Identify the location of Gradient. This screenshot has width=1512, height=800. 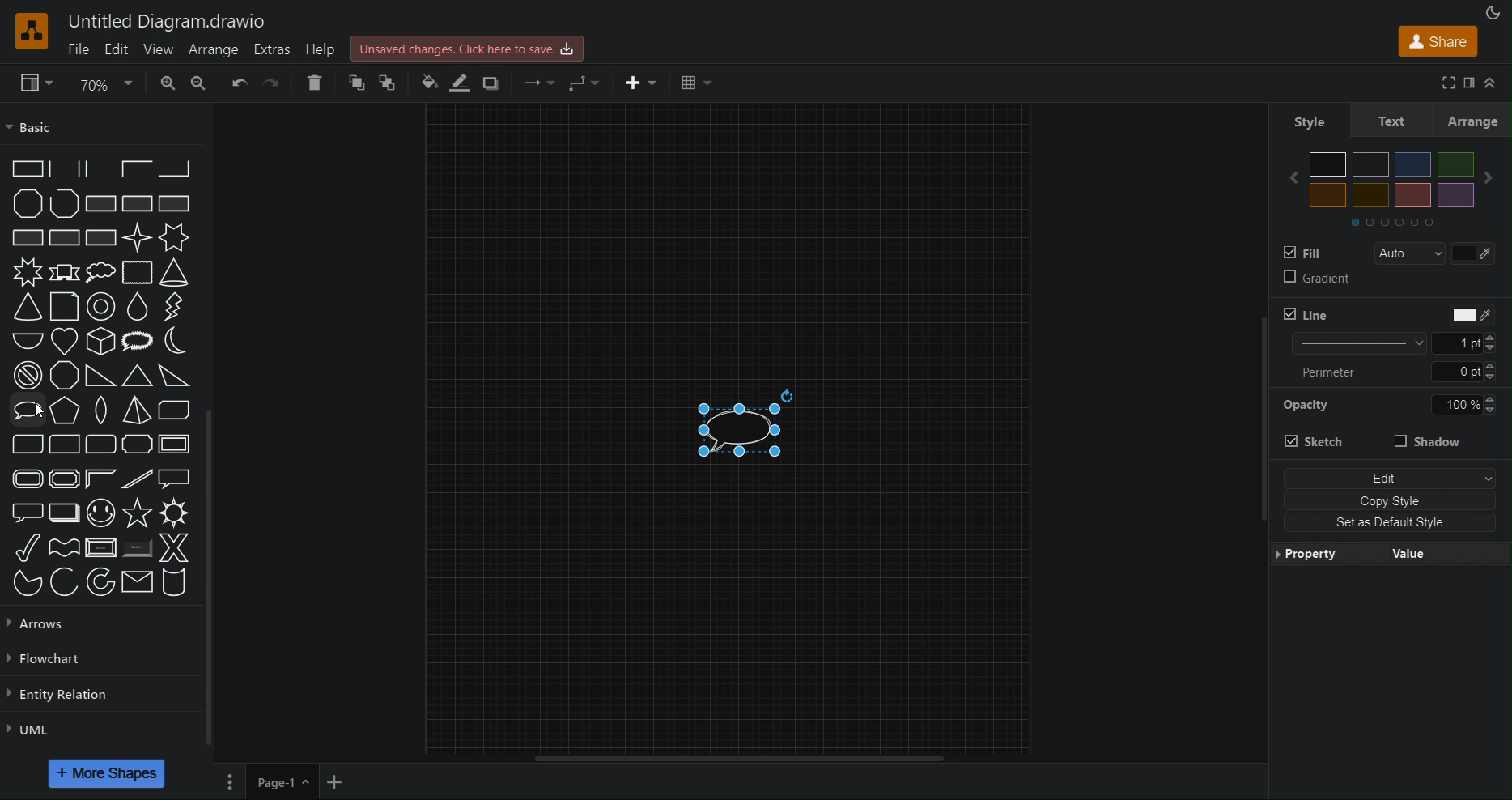
(1322, 279).